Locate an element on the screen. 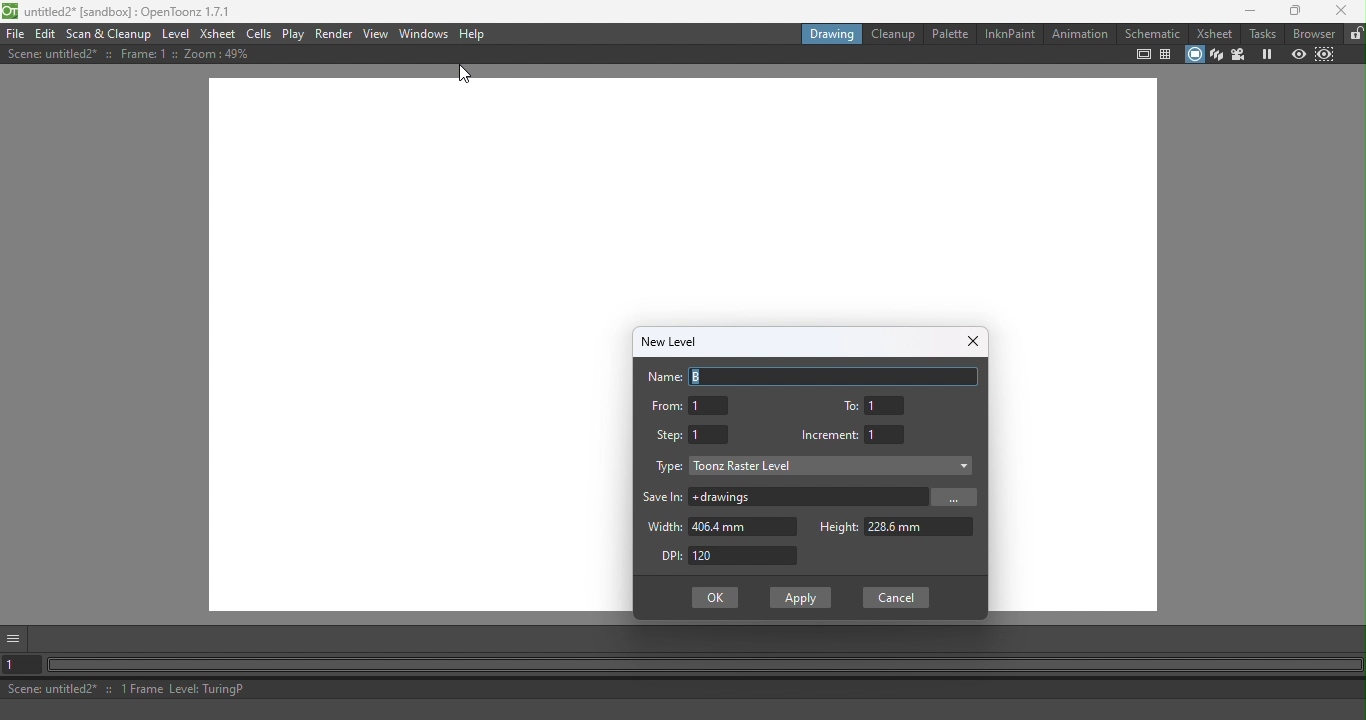 This screenshot has height=720, width=1366. New level is located at coordinates (677, 342).